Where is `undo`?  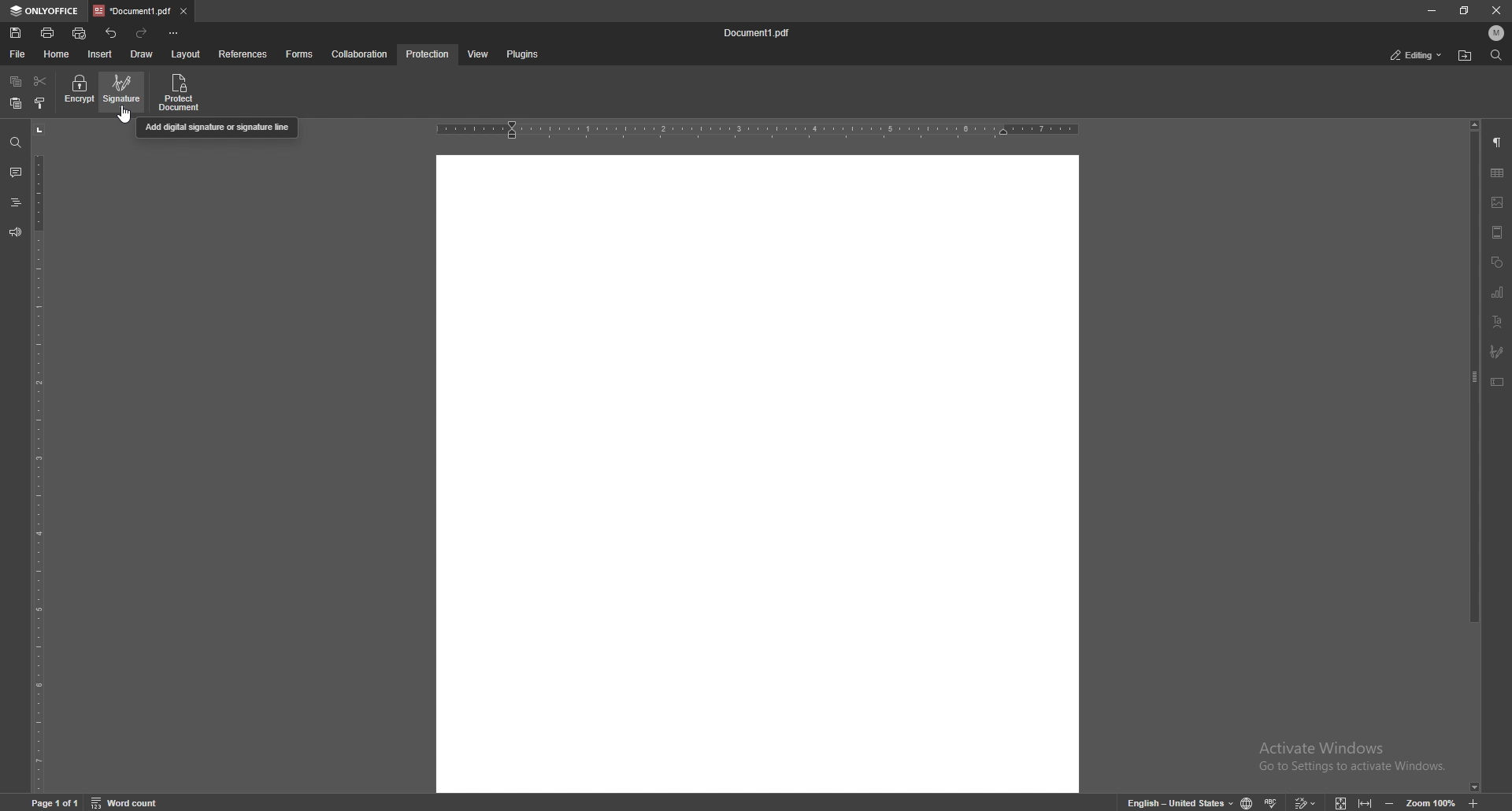 undo is located at coordinates (113, 33).